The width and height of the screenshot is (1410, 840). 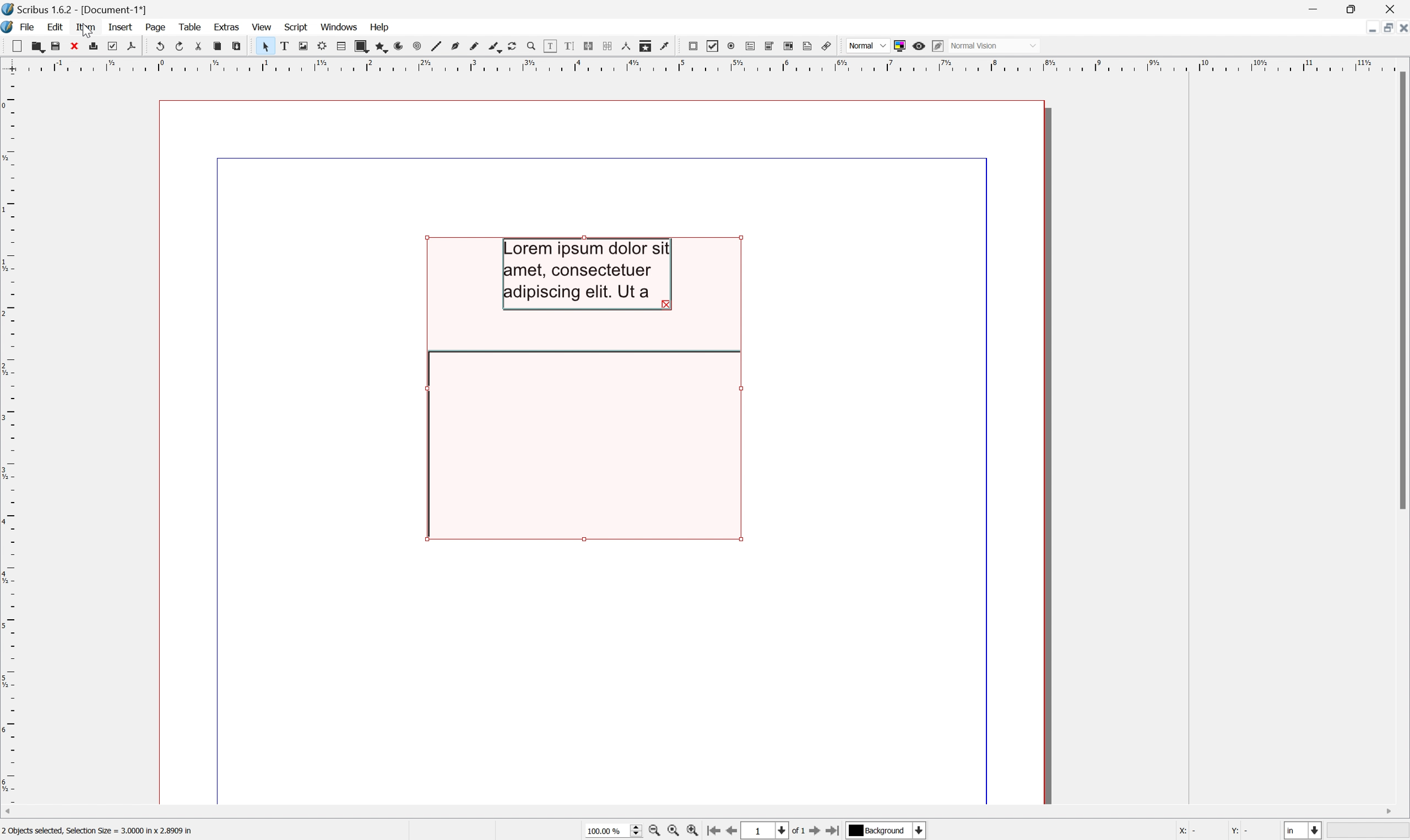 What do you see at coordinates (713, 46) in the screenshot?
I see `PDF Checkbox` at bounding box center [713, 46].